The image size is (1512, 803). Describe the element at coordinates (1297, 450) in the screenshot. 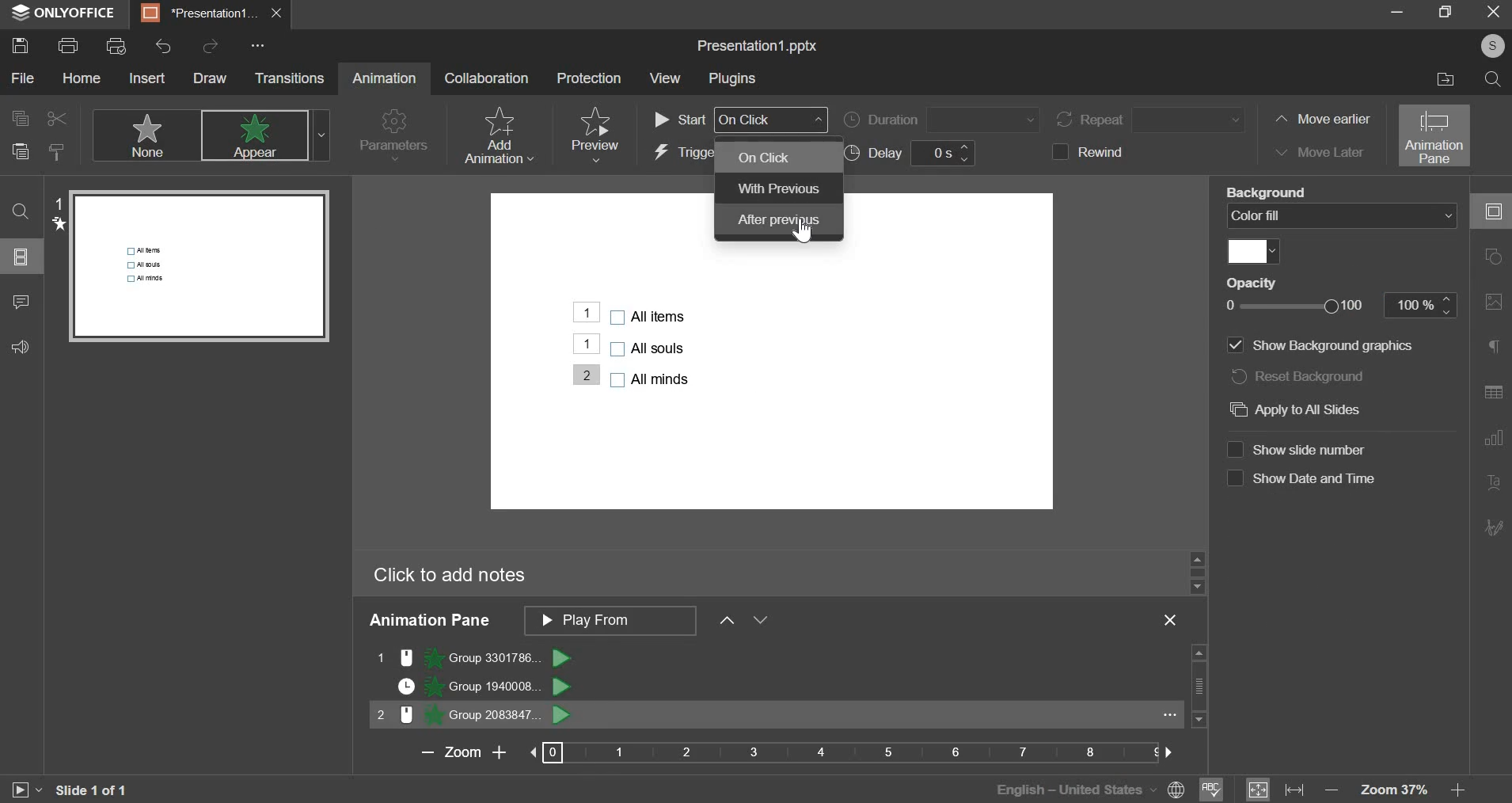

I see `show slide number` at that location.